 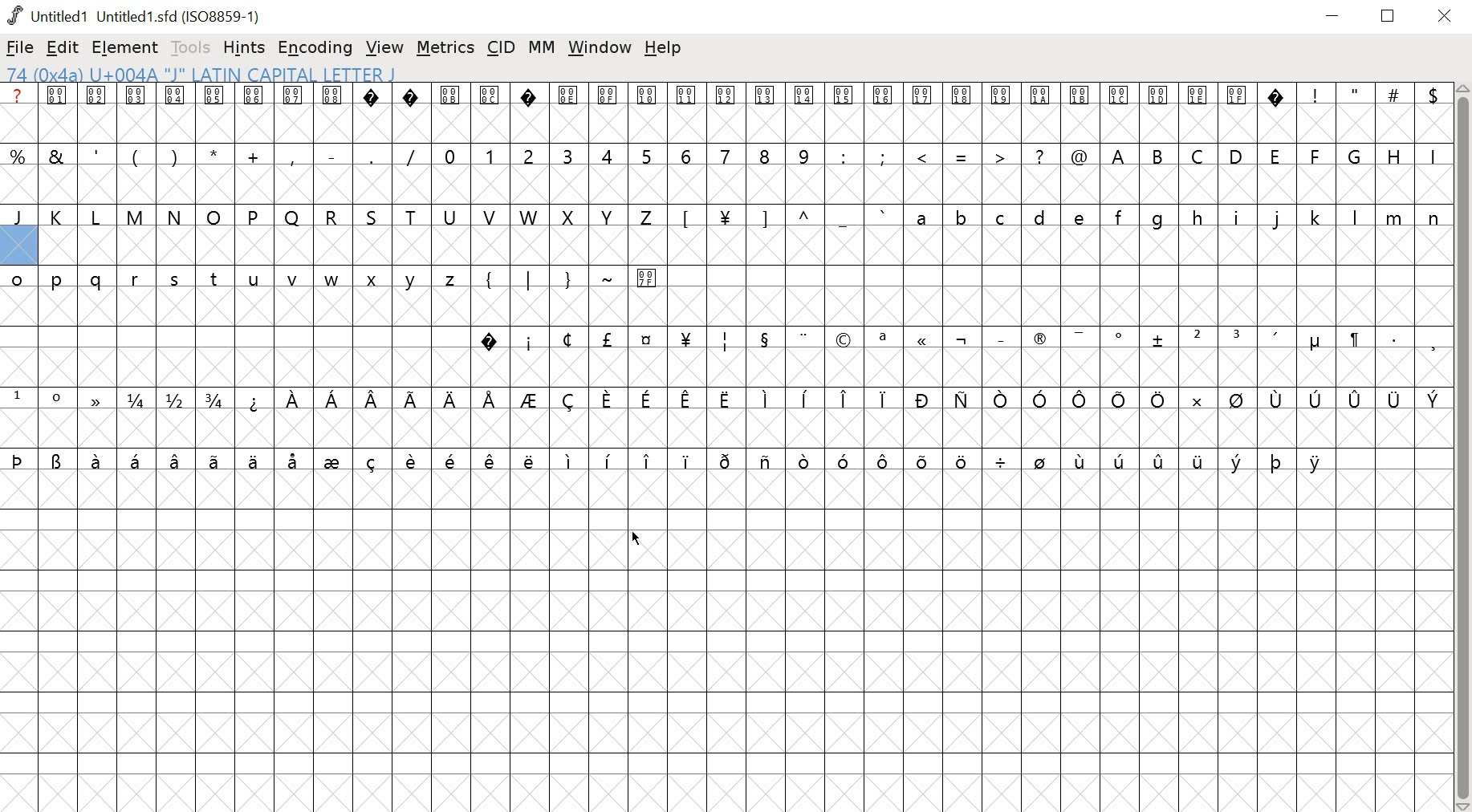 What do you see at coordinates (636, 538) in the screenshot?
I see `cursor` at bounding box center [636, 538].